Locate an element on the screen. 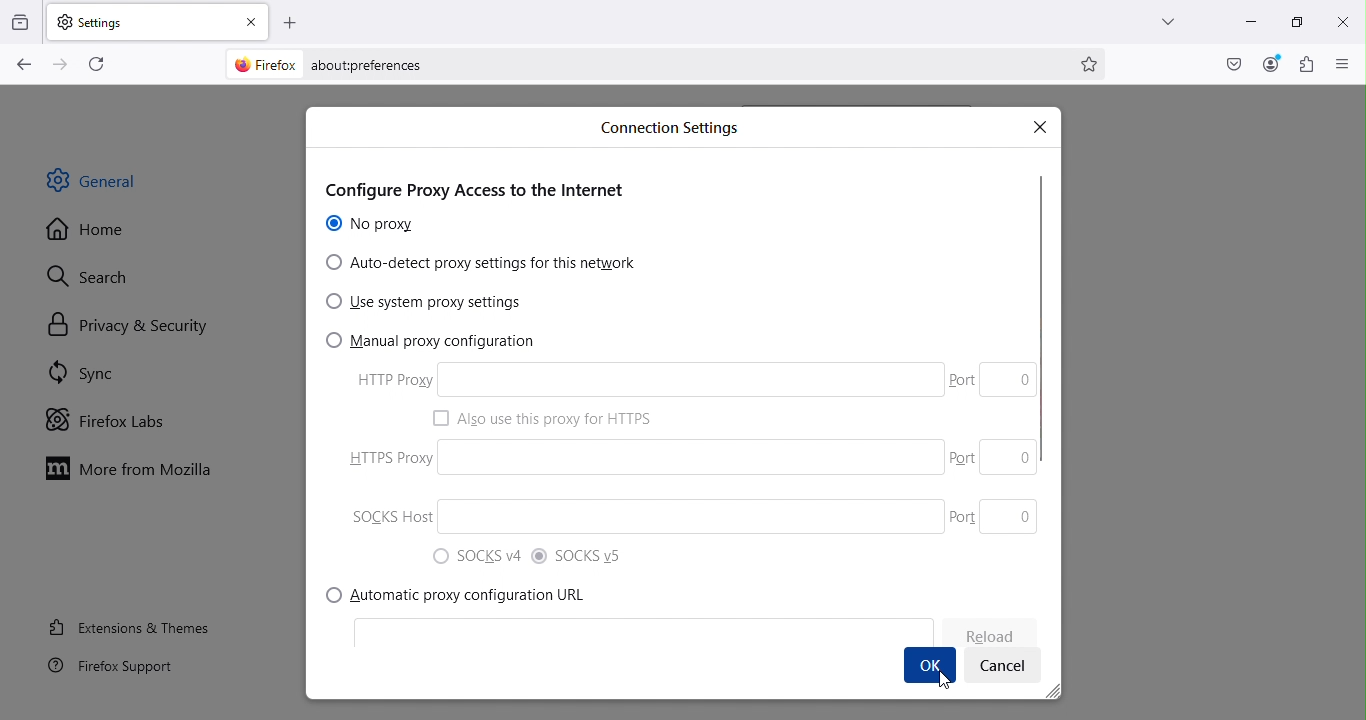 Image resolution: width=1366 pixels, height=720 pixels. Sync is located at coordinates (111, 376).